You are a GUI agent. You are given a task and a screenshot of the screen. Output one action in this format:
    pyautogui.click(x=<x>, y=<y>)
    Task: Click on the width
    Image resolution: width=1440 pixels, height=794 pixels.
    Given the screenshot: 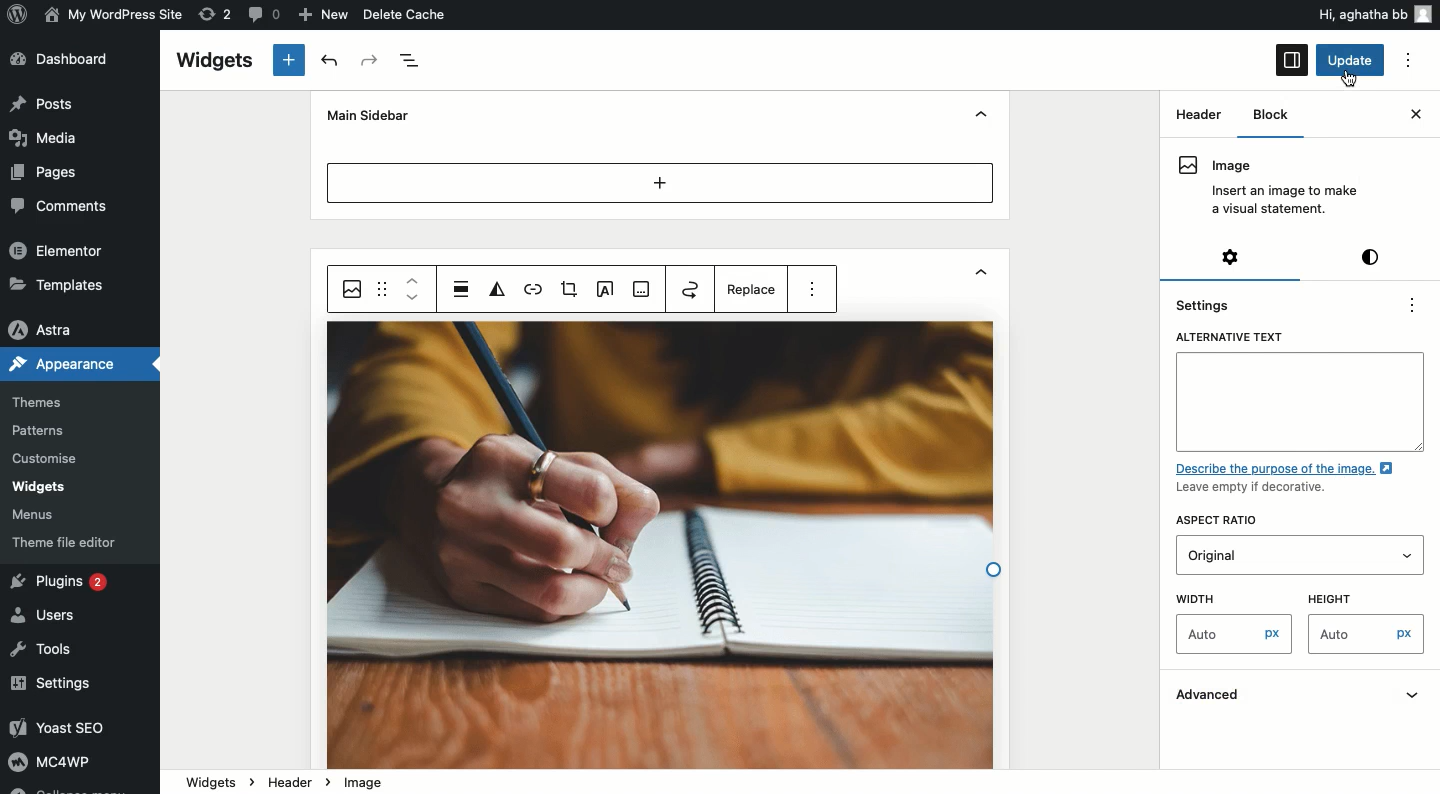 What is the action you would take?
    pyautogui.click(x=1225, y=597)
    